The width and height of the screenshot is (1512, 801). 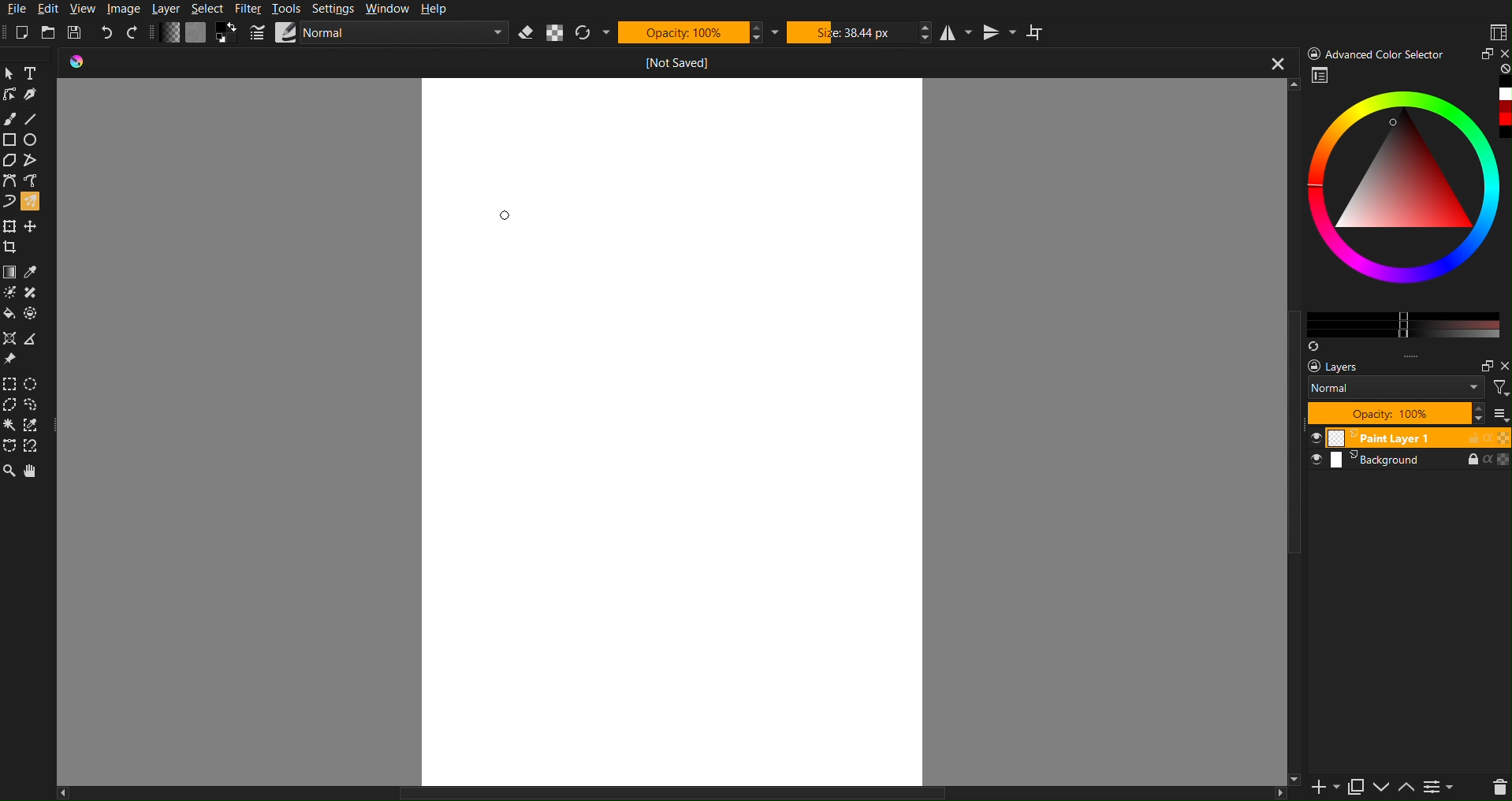 What do you see at coordinates (859, 32) in the screenshot?
I see `Size` at bounding box center [859, 32].